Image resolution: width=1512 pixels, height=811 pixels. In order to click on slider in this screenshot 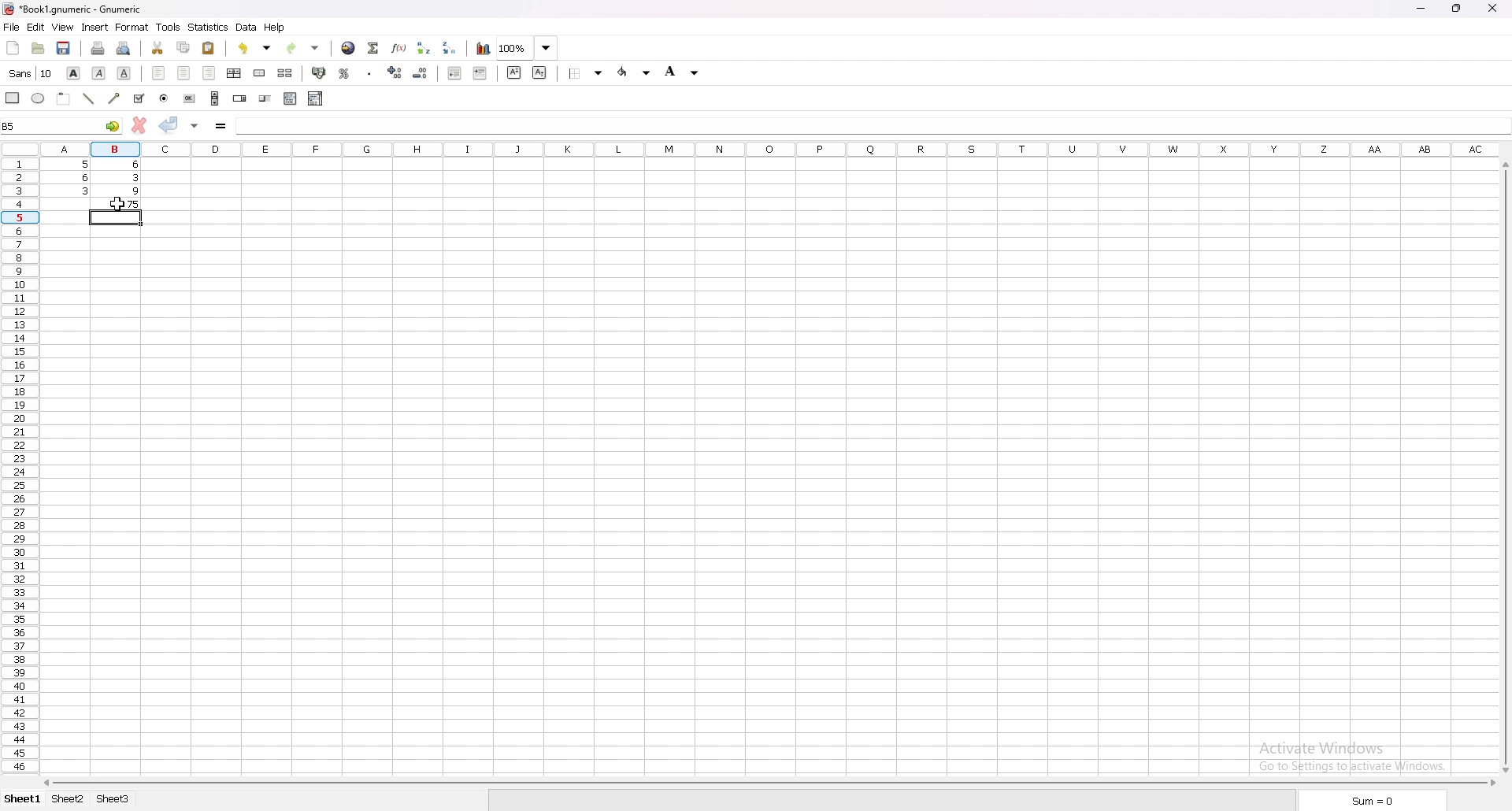, I will do `click(265, 98)`.